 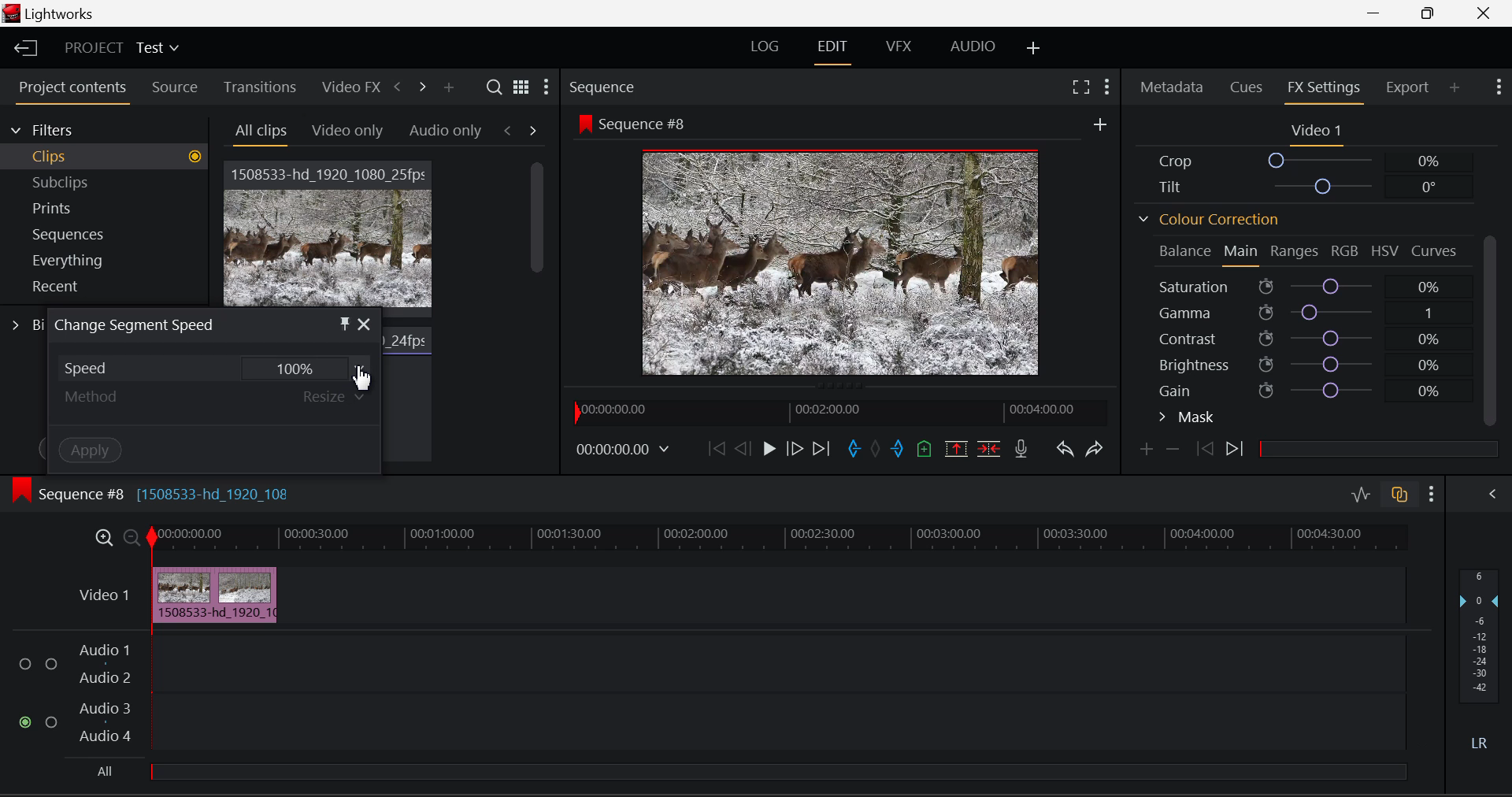 What do you see at coordinates (108, 737) in the screenshot?
I see `Audio 4` at bounding box center [108, 737].